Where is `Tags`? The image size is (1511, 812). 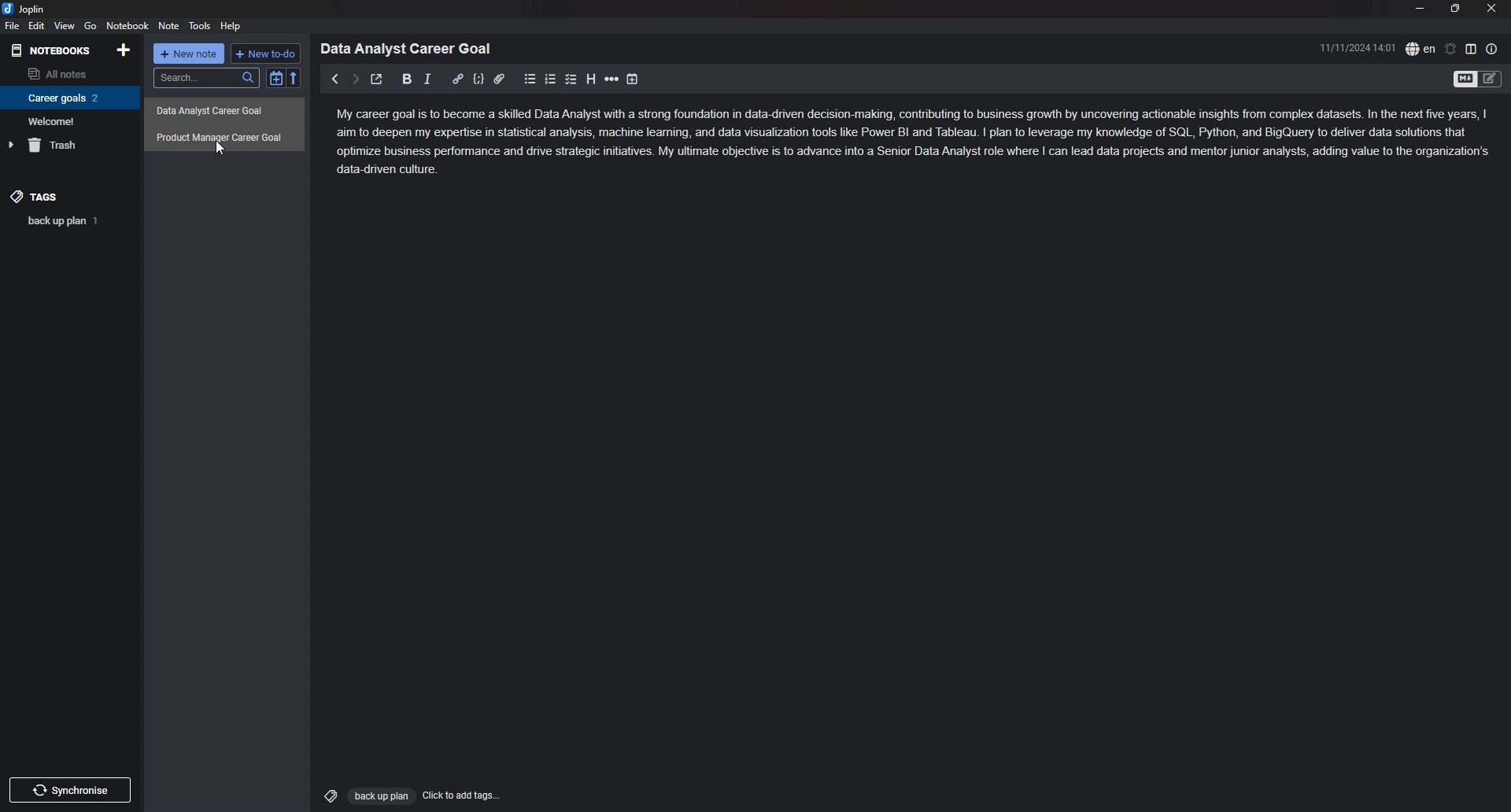 Tags is located at coordinates (327, 794).